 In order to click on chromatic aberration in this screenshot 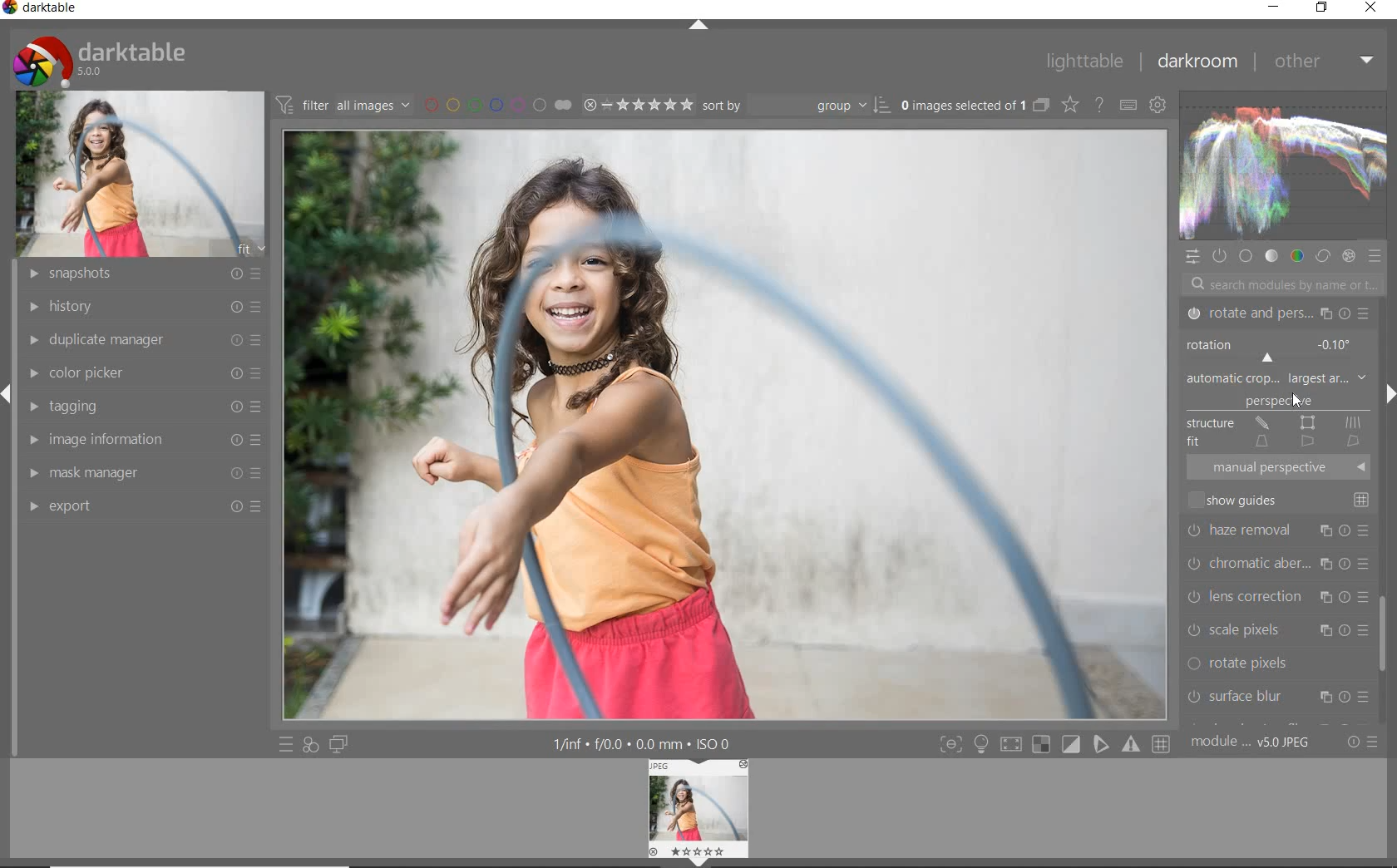, I will do `click(1277, 562)`.